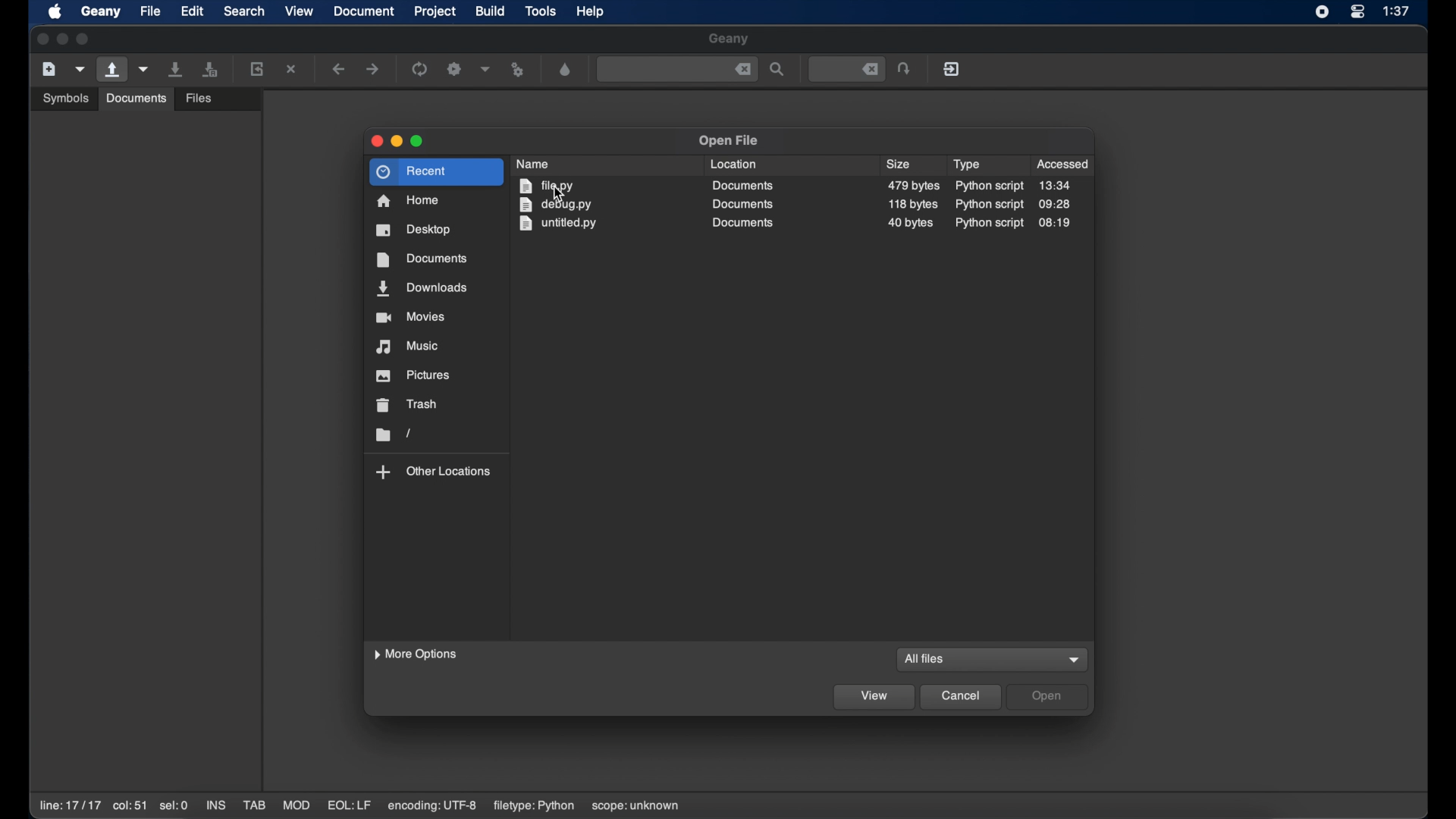 The width and height of the screenshot is (1456, 819). Describe the element at coordinates (150, 11) in the screenshot. I see `file` at that location.